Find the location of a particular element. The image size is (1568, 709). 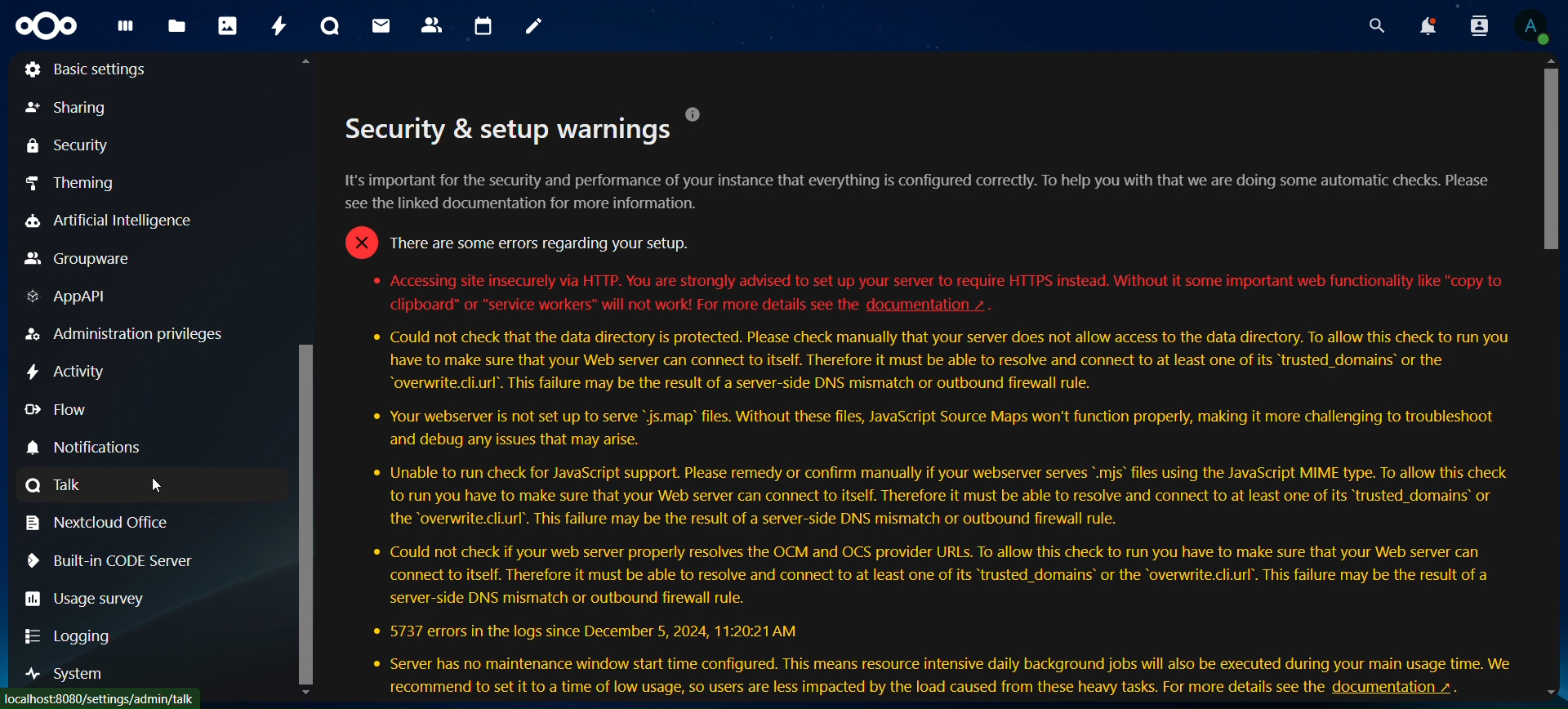

url is located at coordinates (102, 700).